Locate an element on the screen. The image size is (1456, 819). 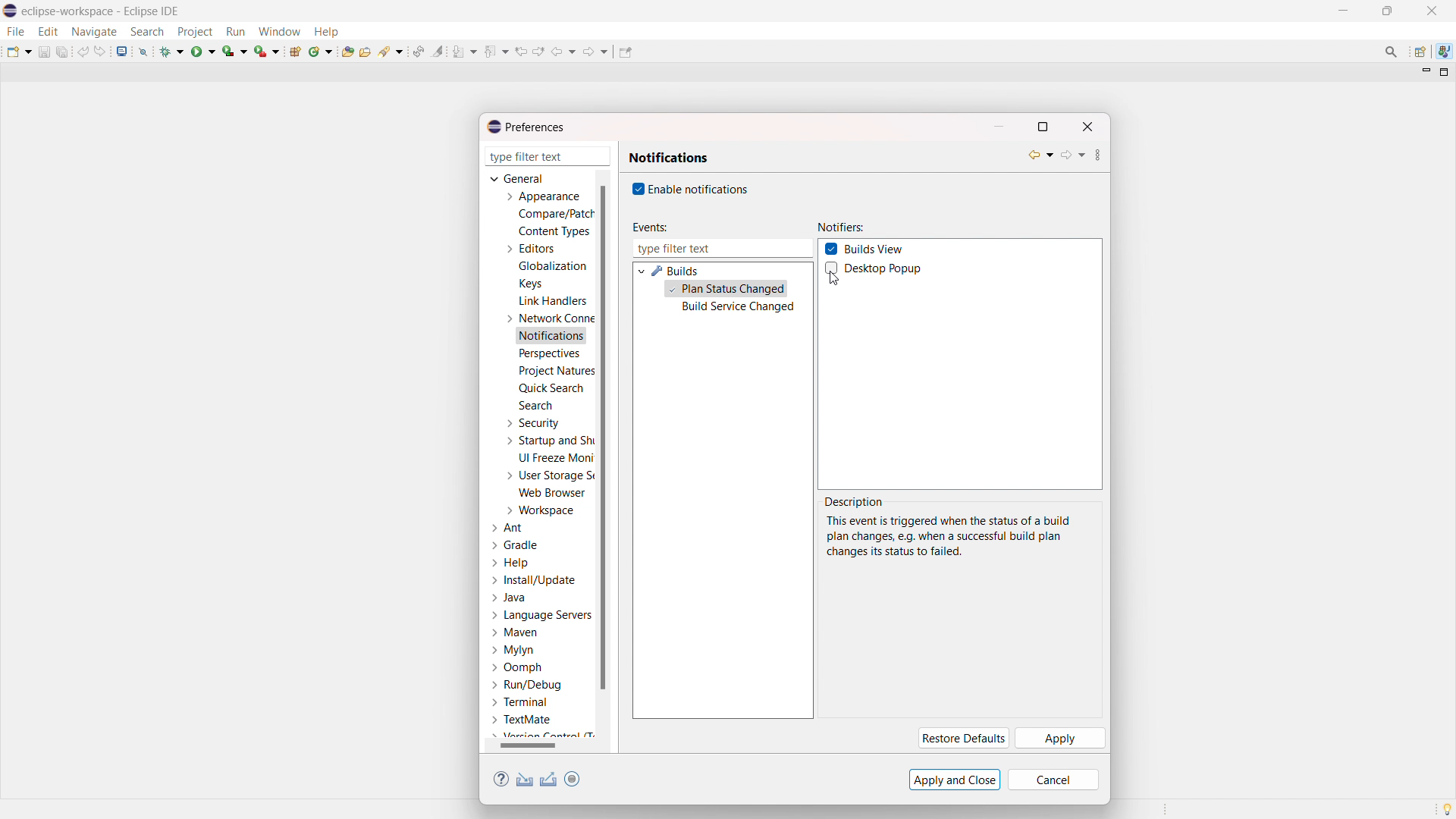
new java class is located at coordinates (322, 51).